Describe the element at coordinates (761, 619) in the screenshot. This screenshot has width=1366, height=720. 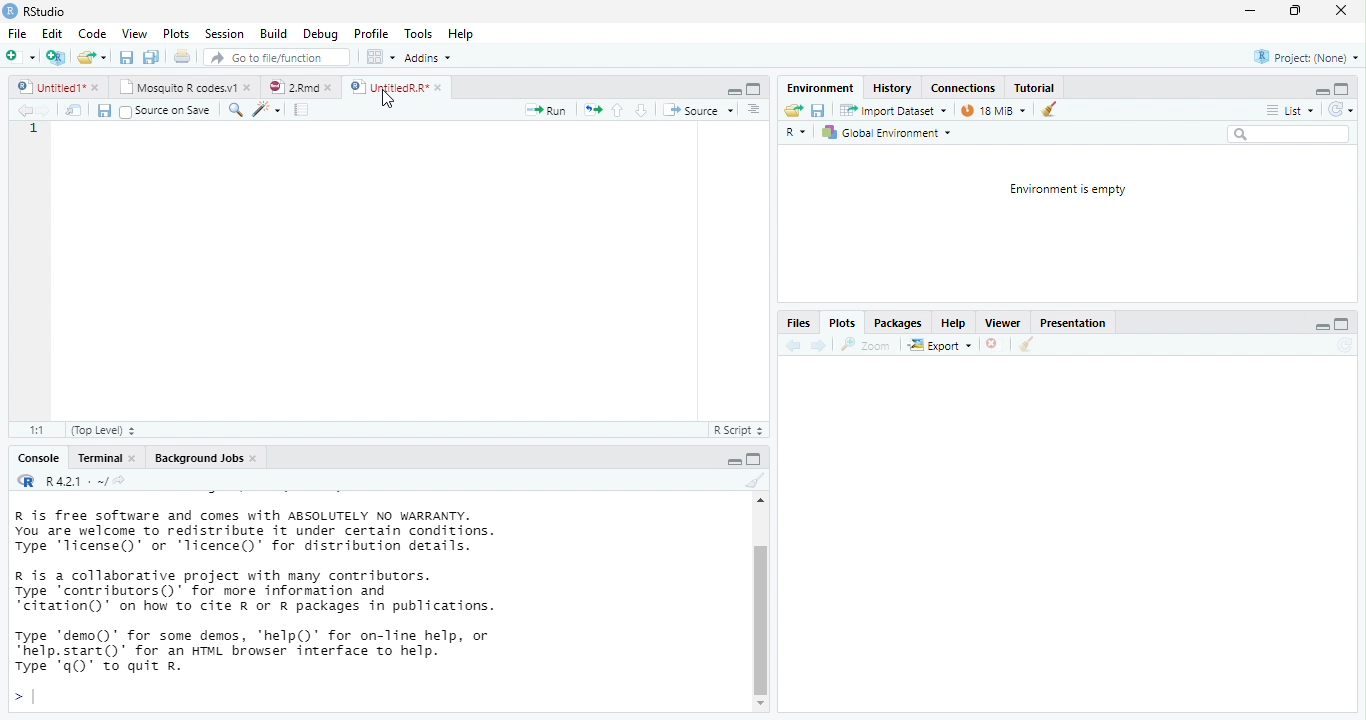
I see `vertical scrollbar` at that location.